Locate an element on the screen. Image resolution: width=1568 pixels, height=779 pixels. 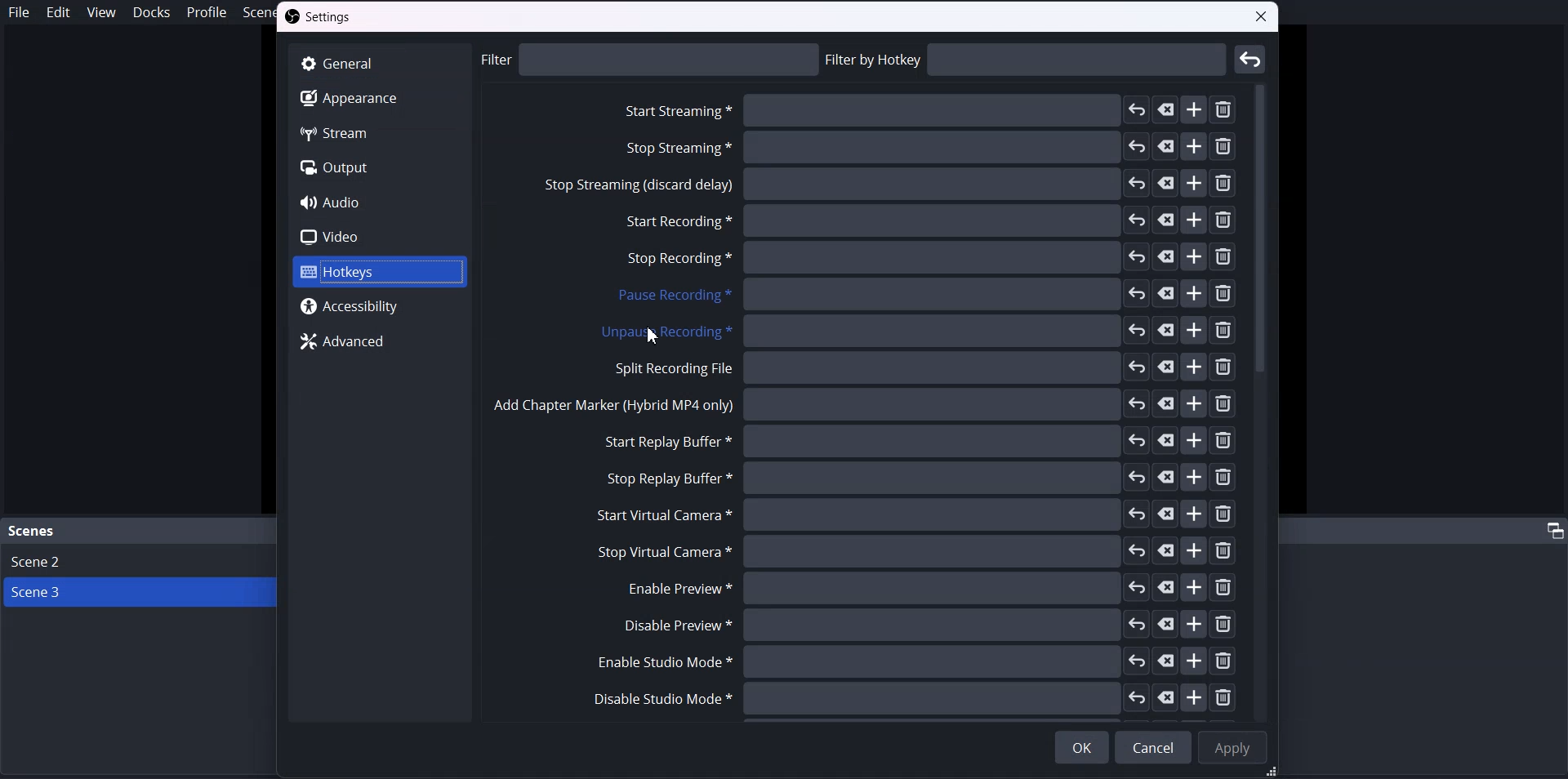
Output is located at coordinates (379, 168).